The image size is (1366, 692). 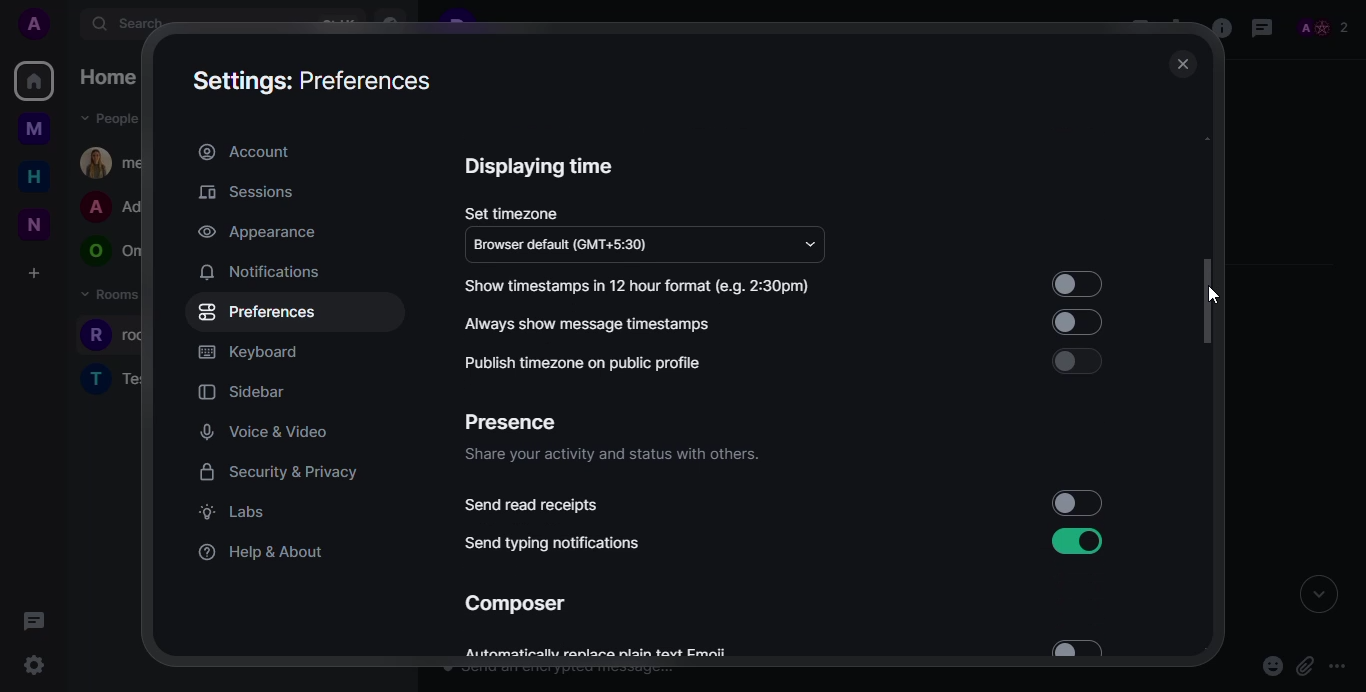 I want to click on scrolled down, so click(x=1212, y=303).